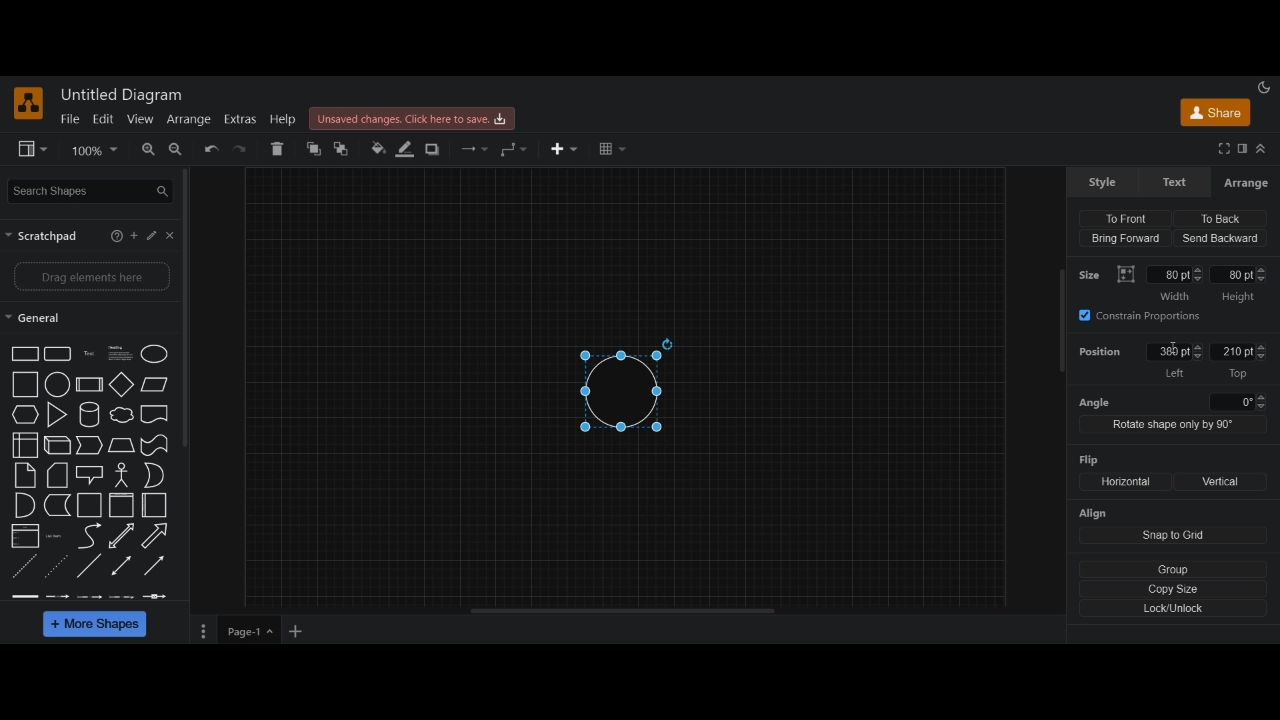  What do you see at coordinates (87, 596) in the screenshot?
I see `dashed` at bounding box center [87, 596].